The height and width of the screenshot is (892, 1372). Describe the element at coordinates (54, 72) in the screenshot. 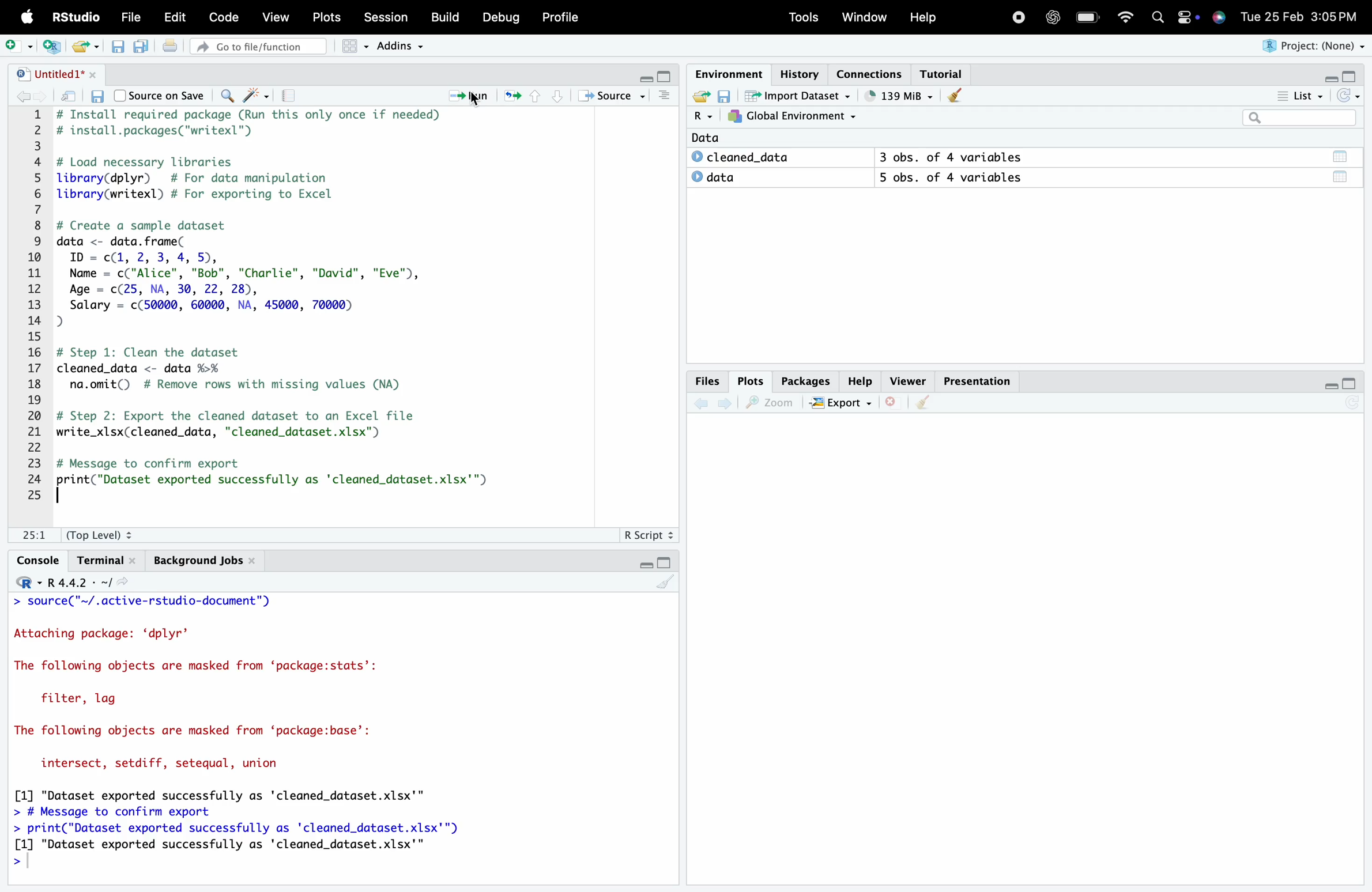

I see `Untitled1` at that location.